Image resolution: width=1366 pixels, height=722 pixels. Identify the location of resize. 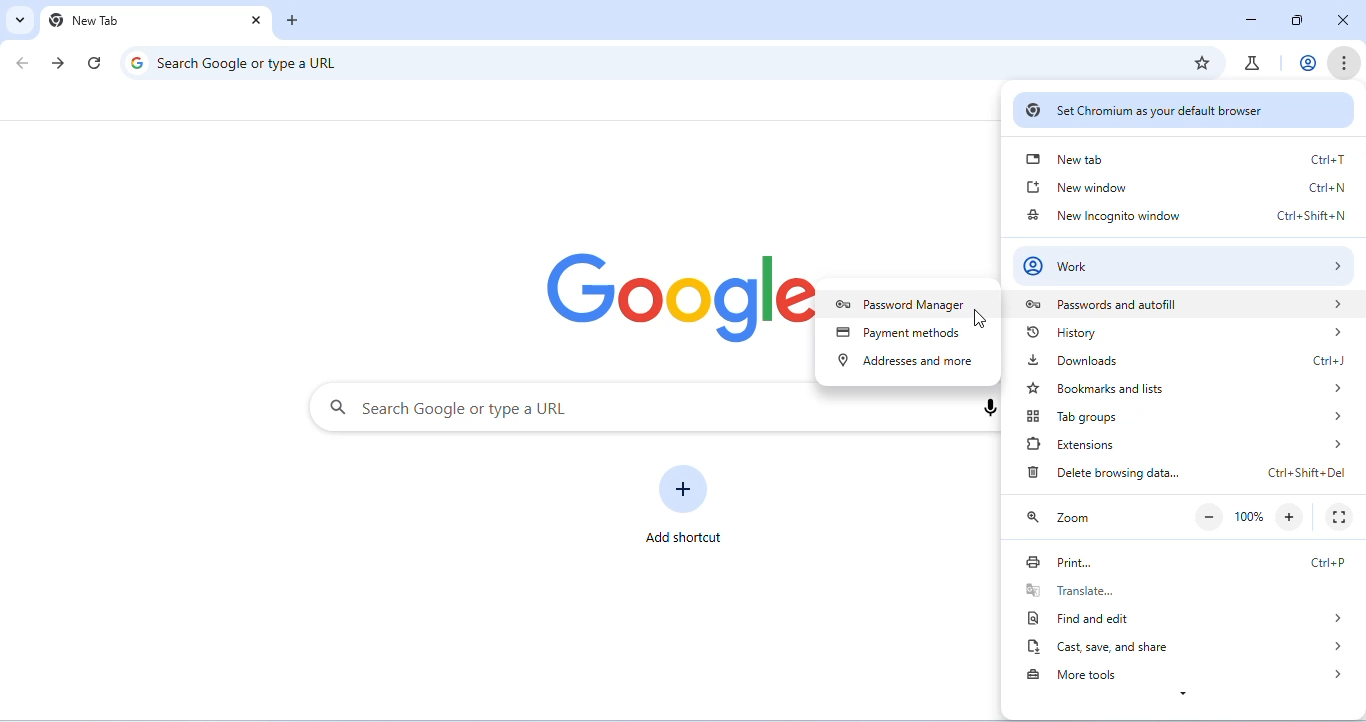
(1295, 20).